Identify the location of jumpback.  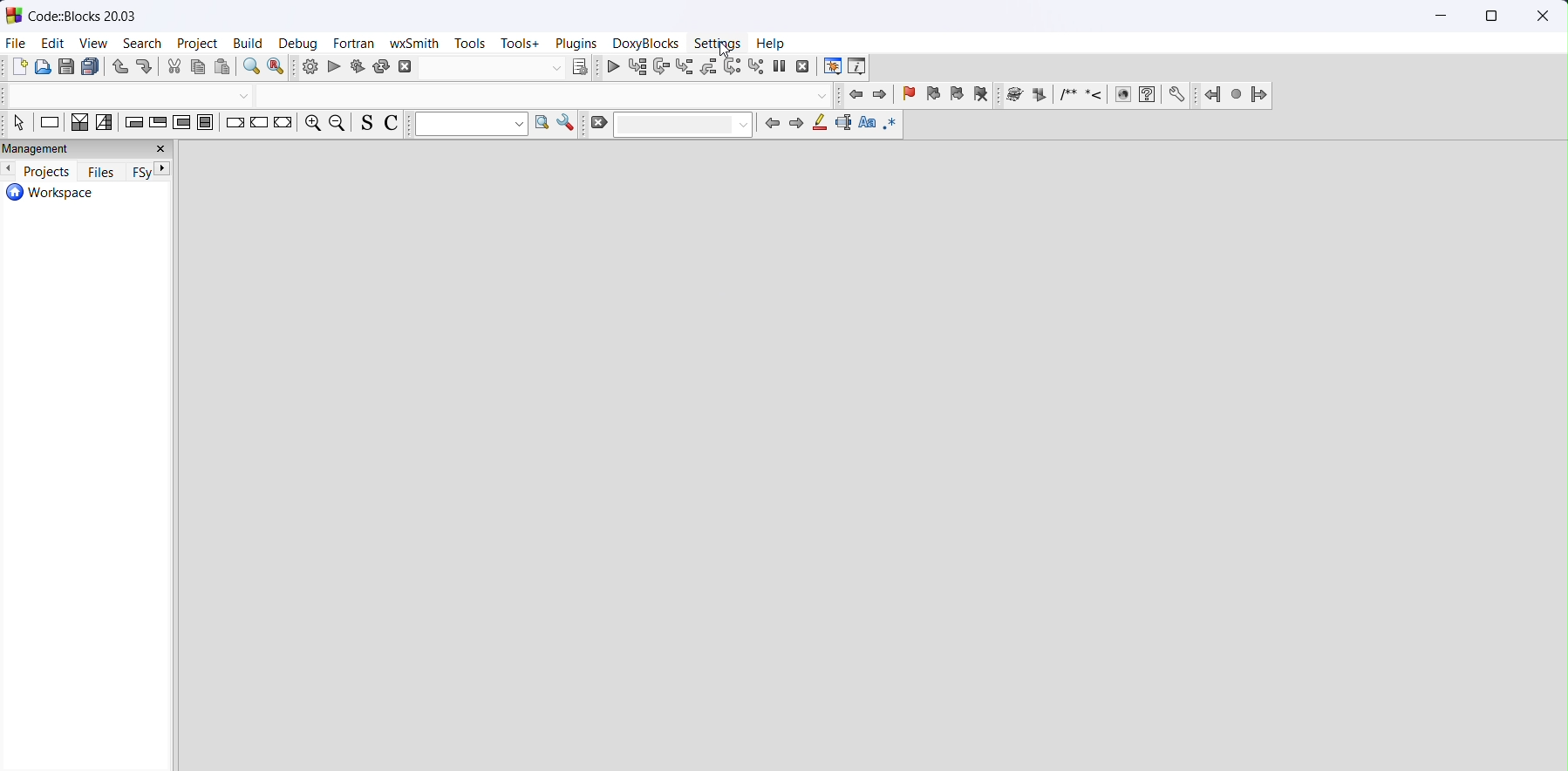
(857, 95).